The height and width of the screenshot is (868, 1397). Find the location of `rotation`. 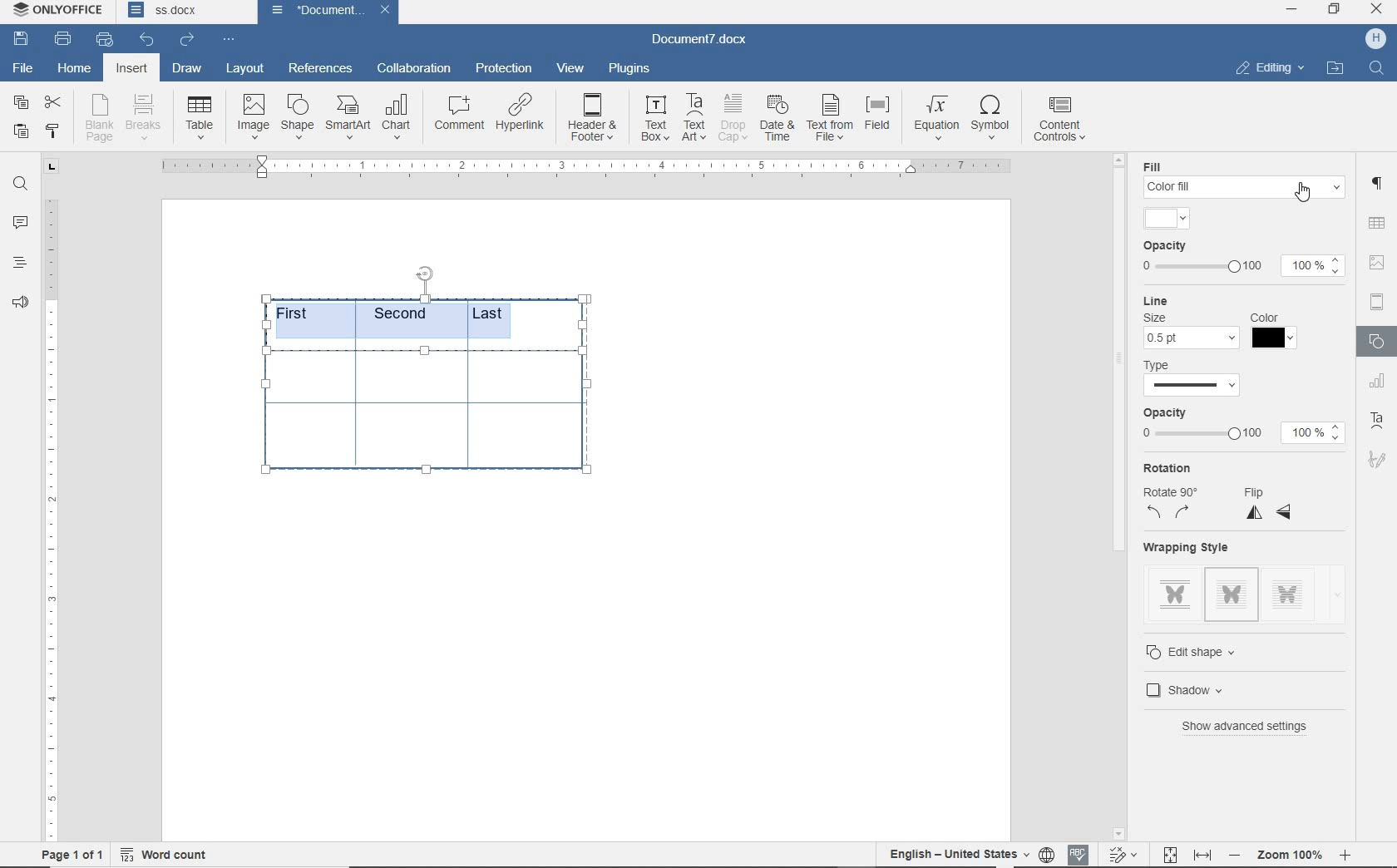

rotation is located at coordinates (1173, 469).